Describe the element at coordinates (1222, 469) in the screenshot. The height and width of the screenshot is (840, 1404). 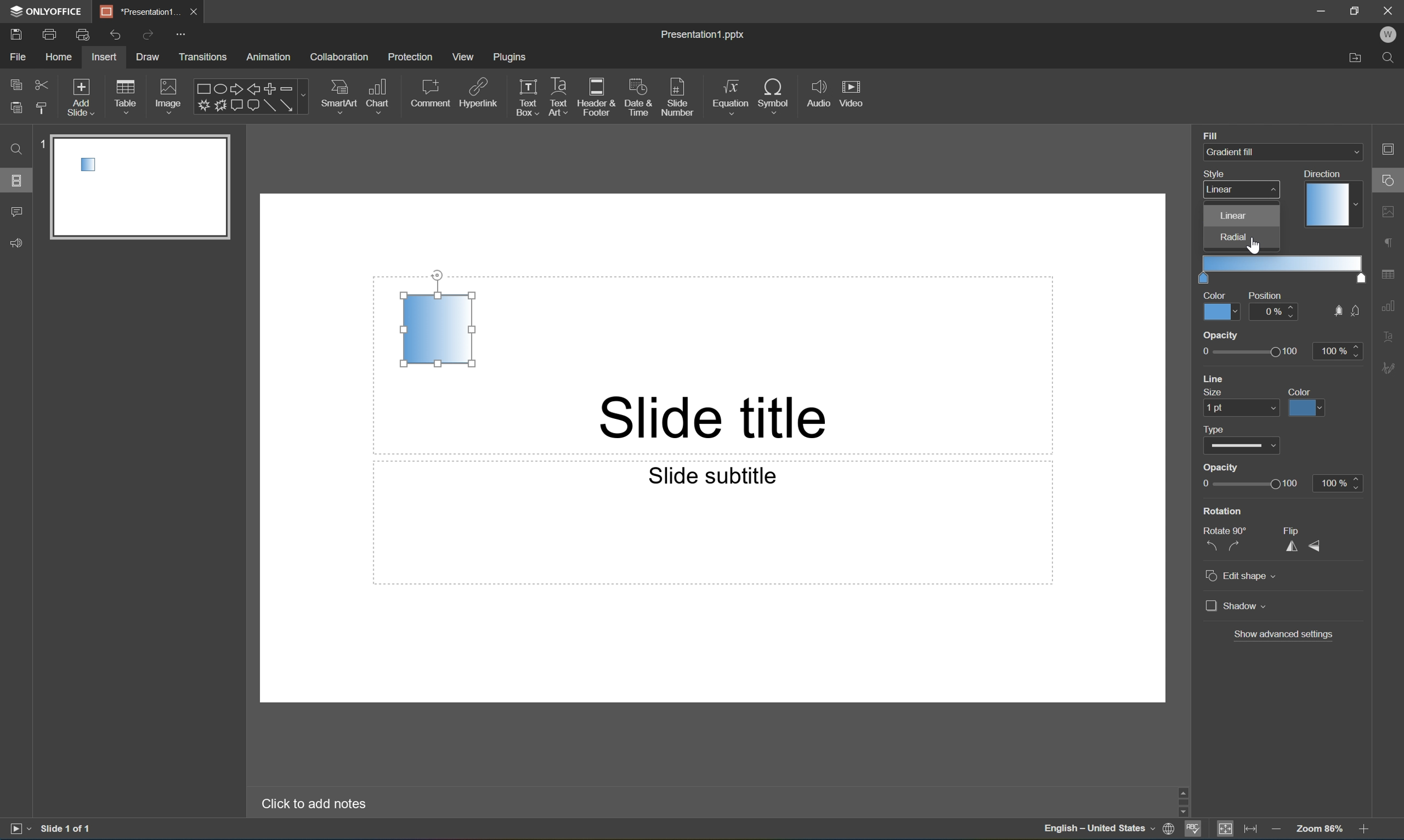
I see `Opacity` at that location.